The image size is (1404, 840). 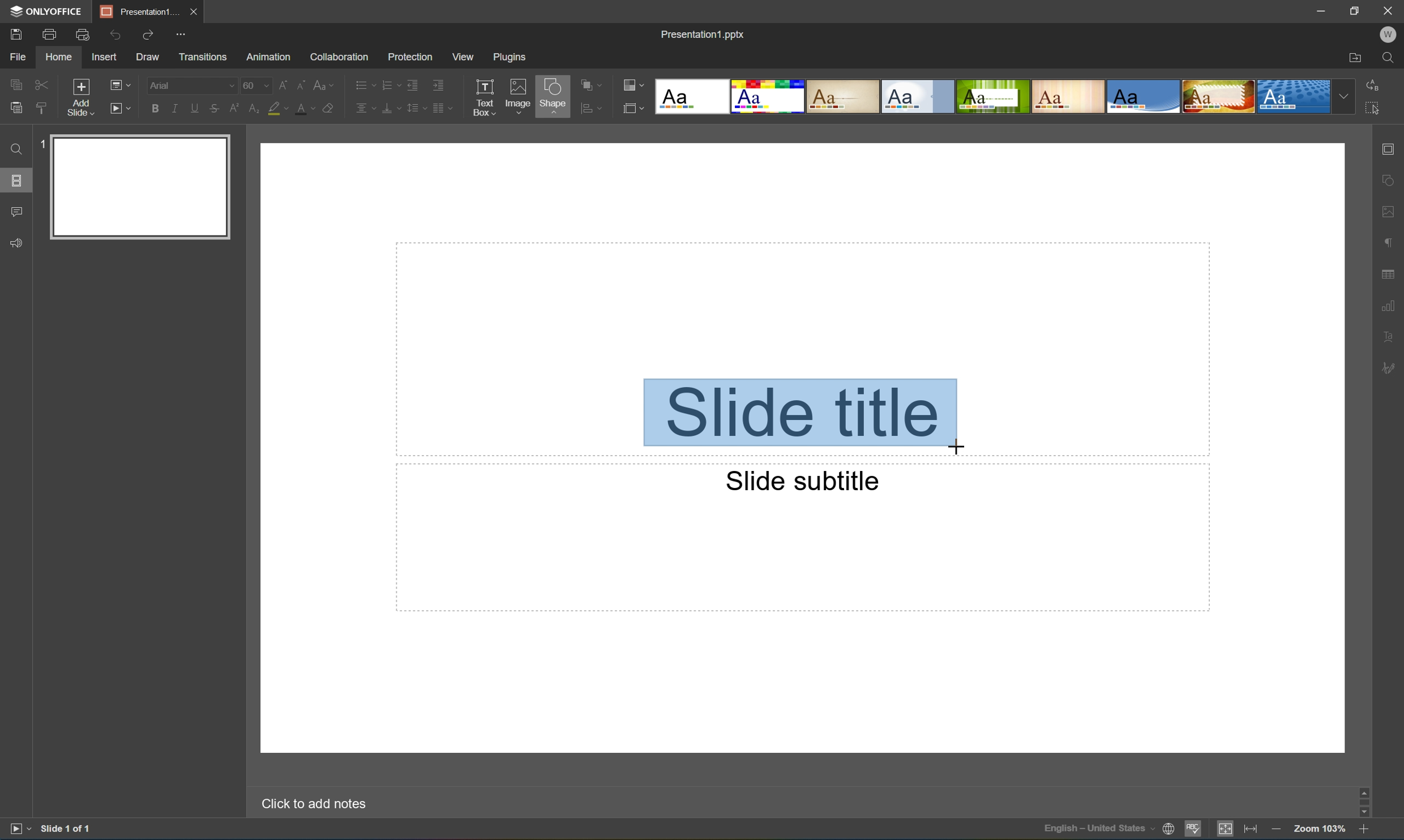 What do you see at coordinates (1391, 149) in the screenshot?
I see `slide settings` at bounding box center [1391, 149].